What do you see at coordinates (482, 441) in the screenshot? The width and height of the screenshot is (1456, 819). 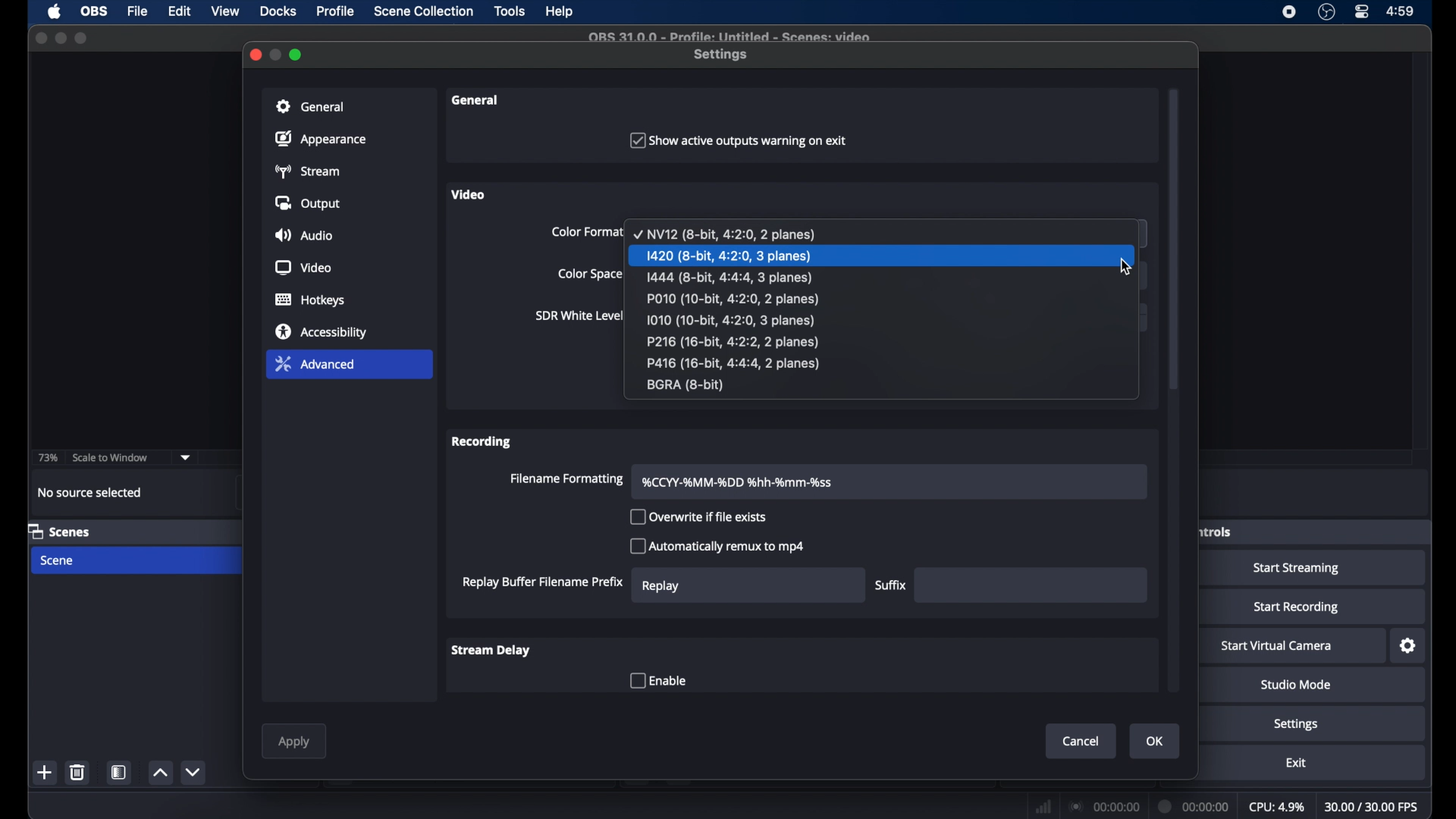 I see `recording` at bounding box center [482, 441].